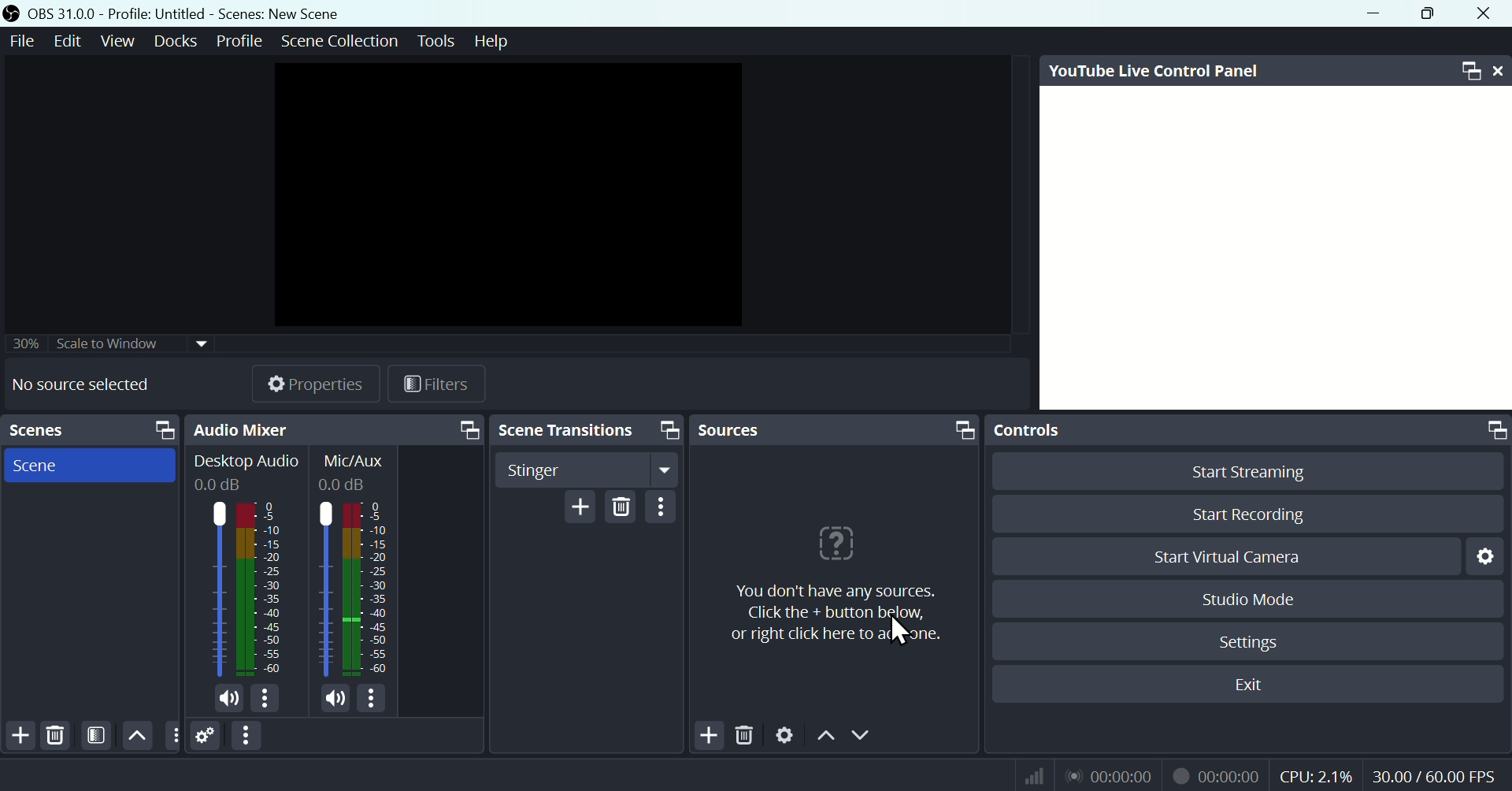  What do you see at coordinates (1438, 772) in the screenshot?
I see `30.00/60.00 FPS` at bounding box center [1438, 772].